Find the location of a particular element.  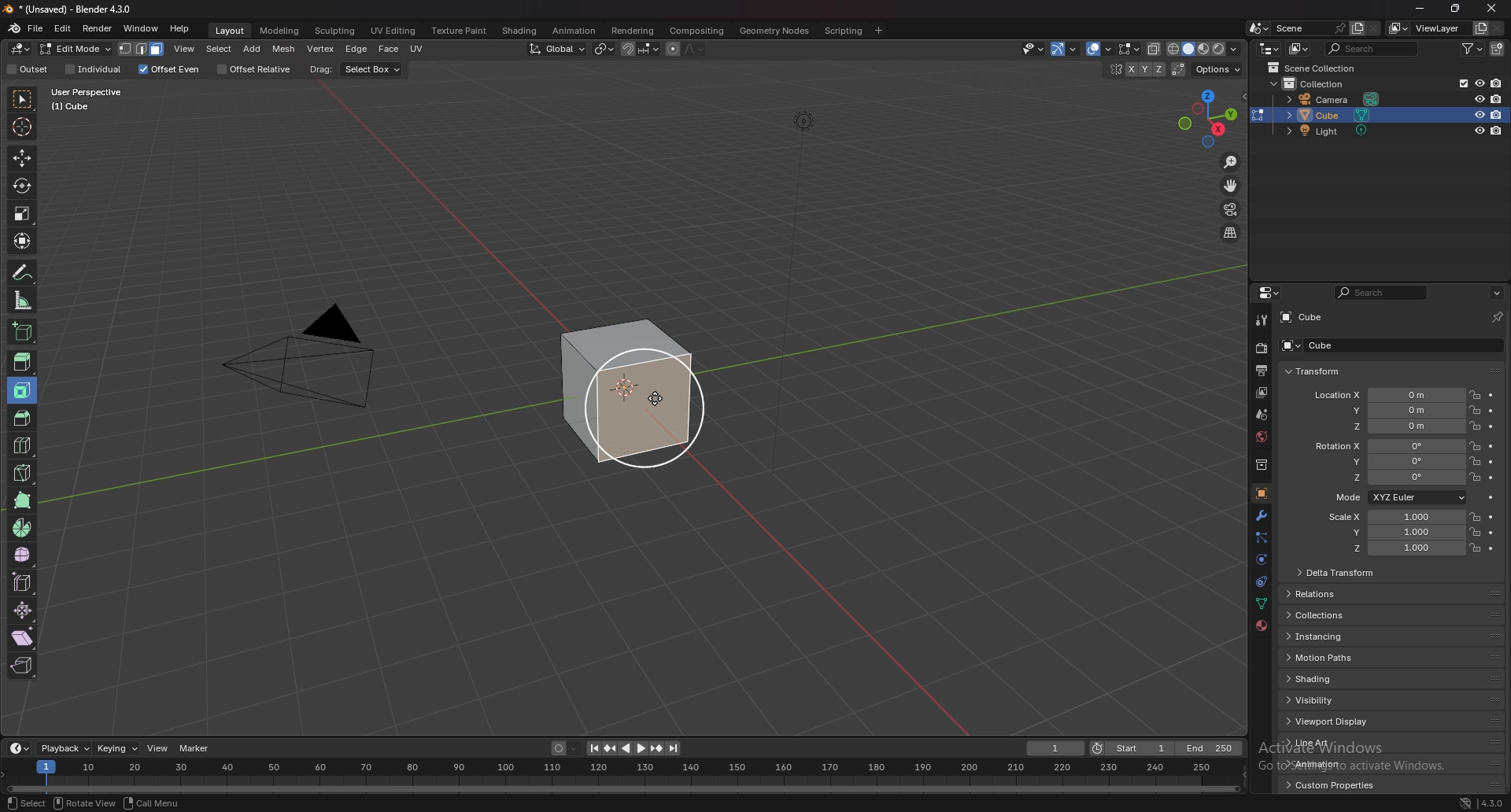

lock is located at coordinates (1475, 461).